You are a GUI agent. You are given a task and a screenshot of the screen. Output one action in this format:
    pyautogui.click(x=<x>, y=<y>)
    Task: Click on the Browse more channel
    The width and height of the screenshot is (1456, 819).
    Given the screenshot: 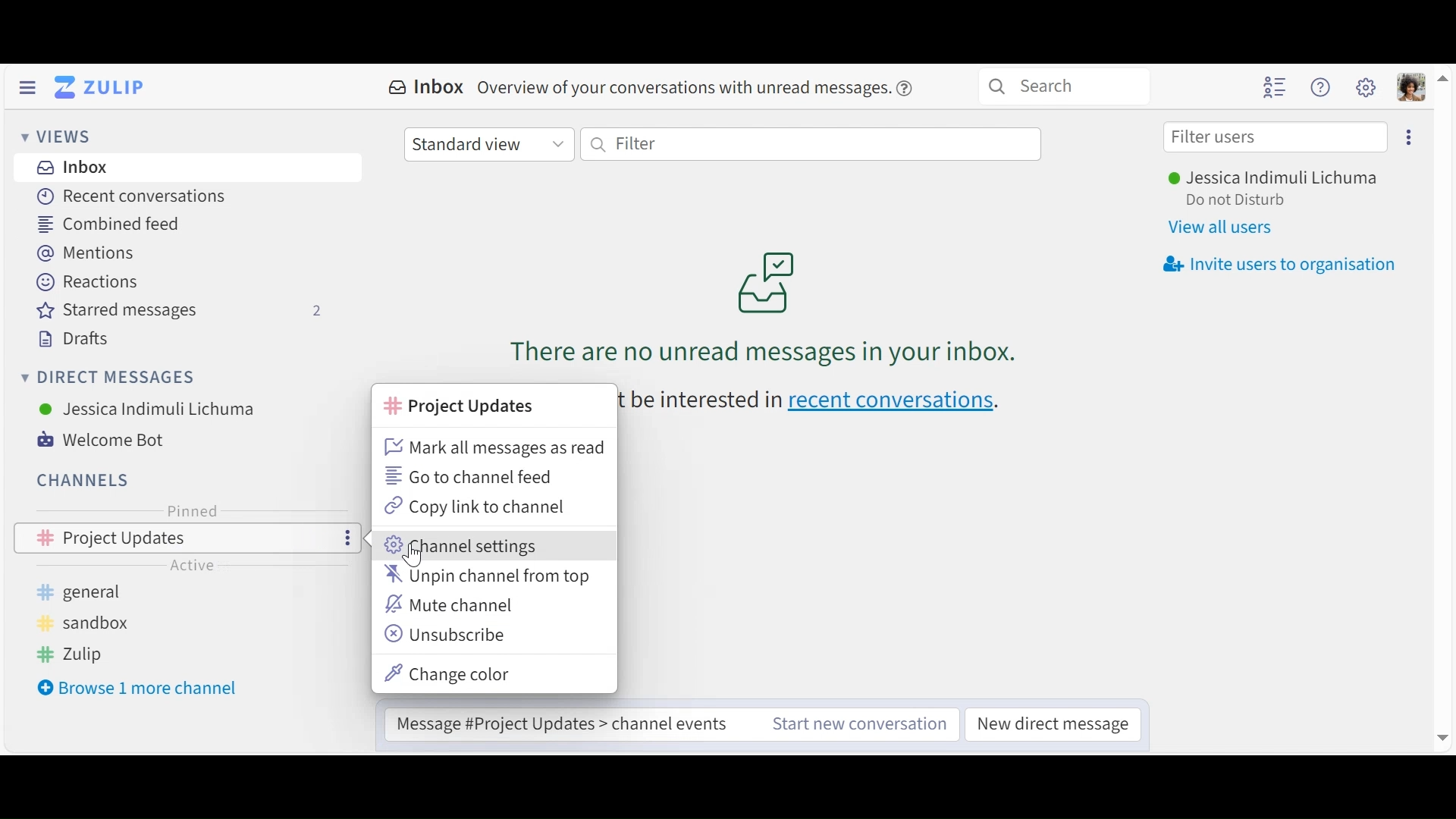 What is the action you would take?
    pyautogui.click(x=140, y=687)
    